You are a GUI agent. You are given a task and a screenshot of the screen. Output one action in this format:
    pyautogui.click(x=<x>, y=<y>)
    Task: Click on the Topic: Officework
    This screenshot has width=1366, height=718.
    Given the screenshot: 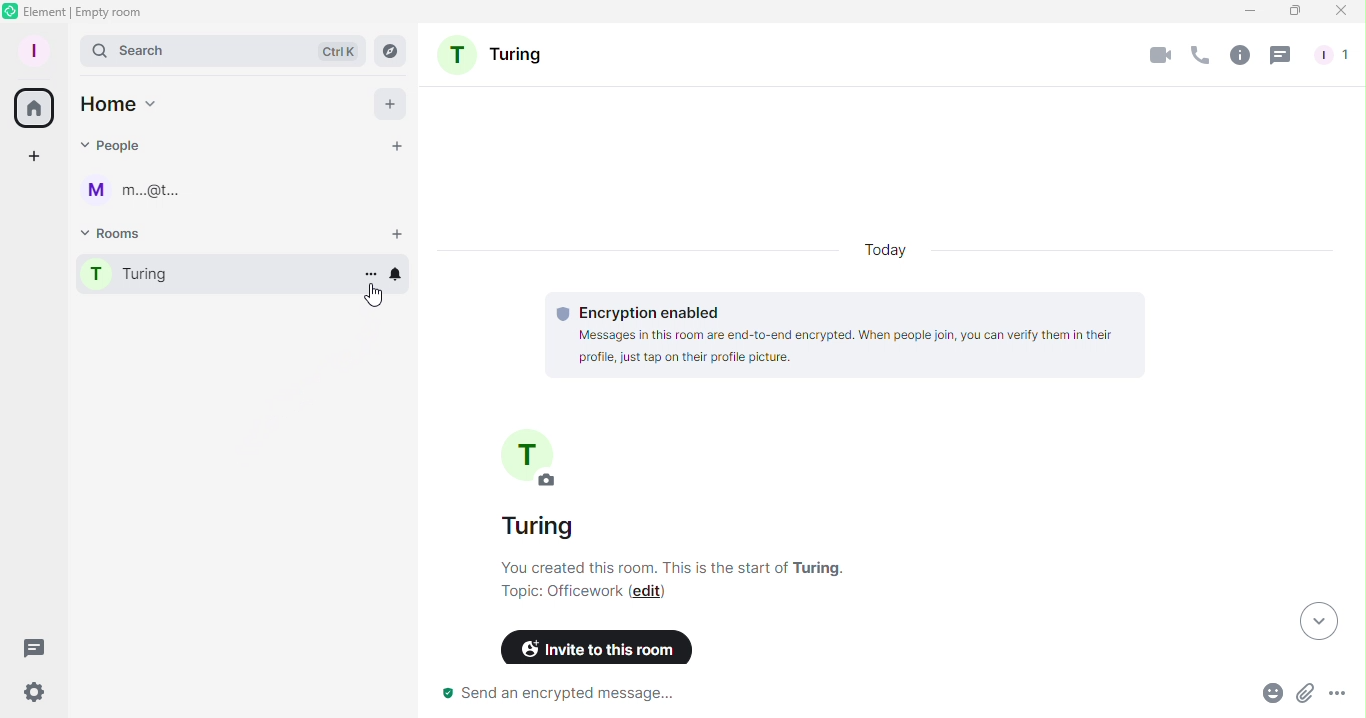 What is the action you would take?
    pyautogui.click(x=562, y=593)
    